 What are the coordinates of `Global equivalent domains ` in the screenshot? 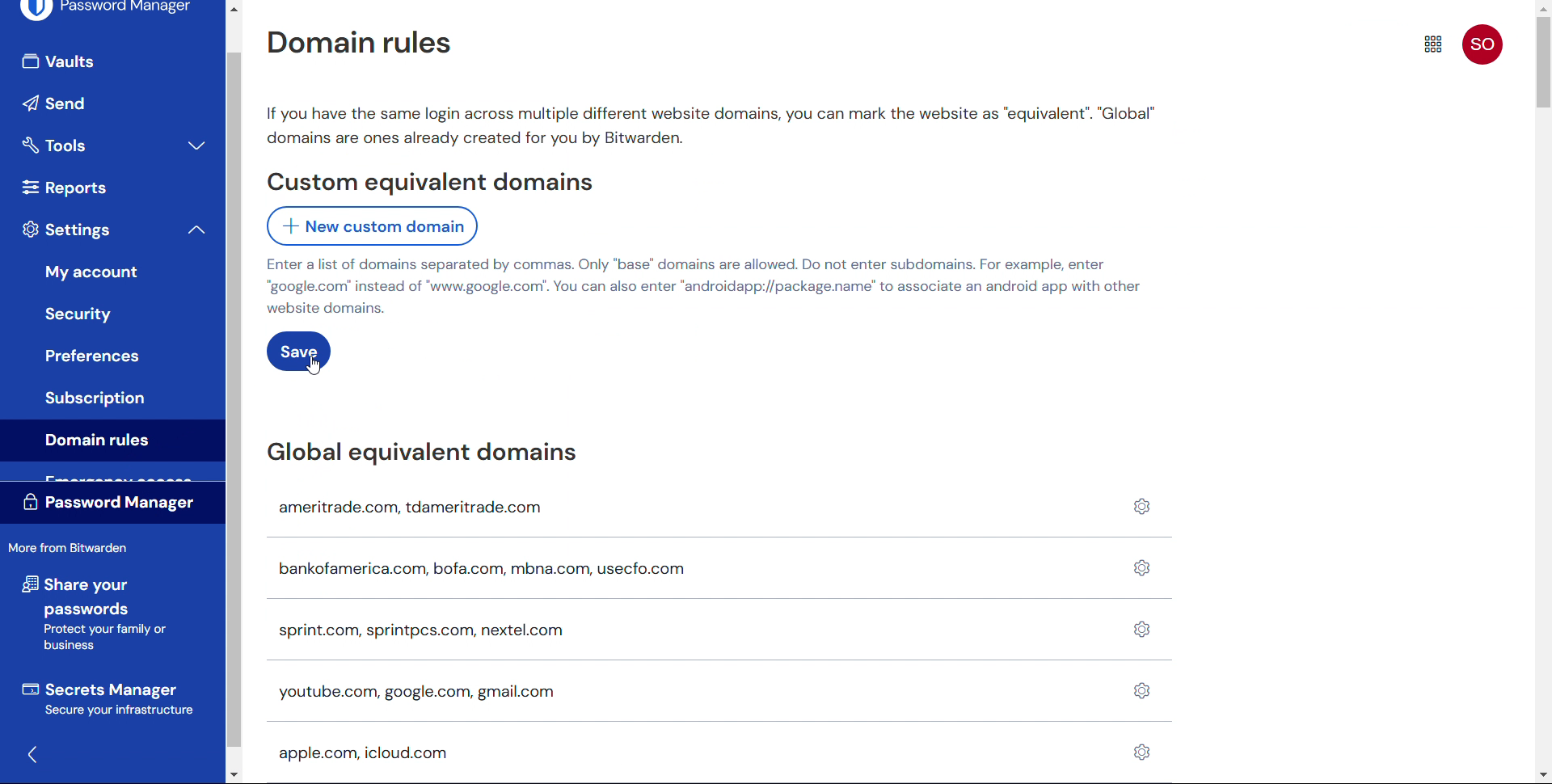 It's located at (420, 453).